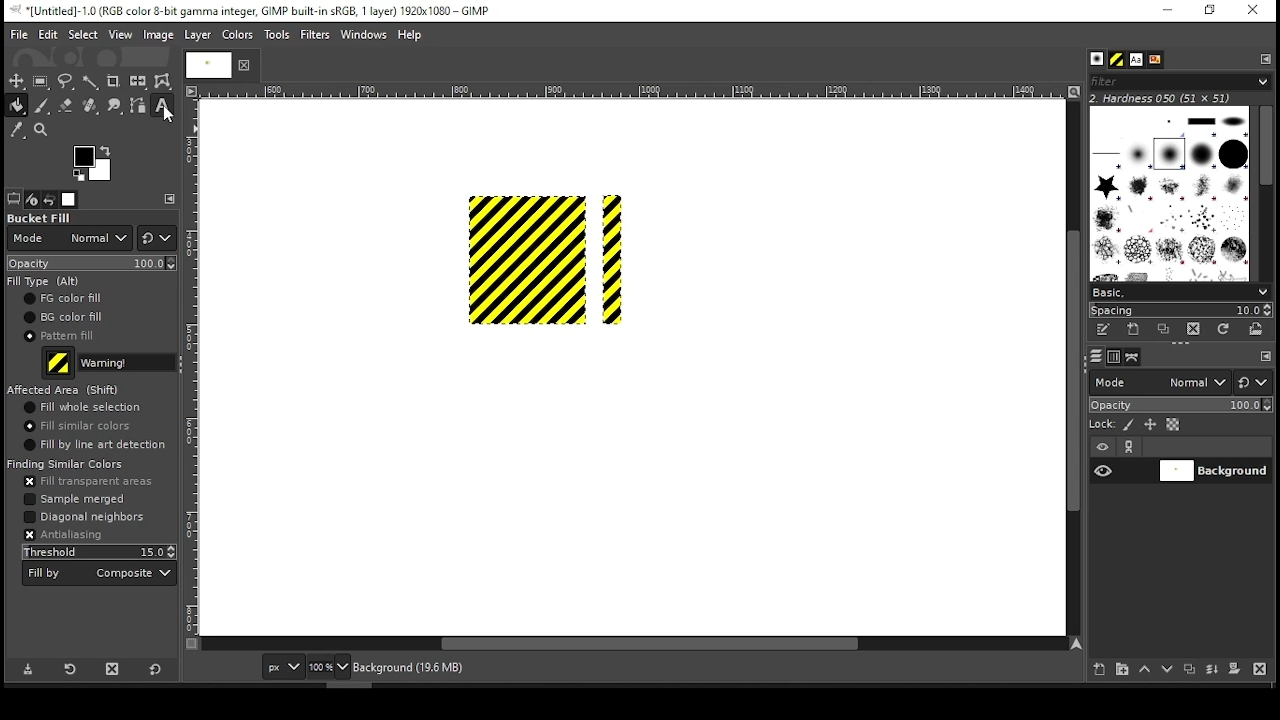 This screenshot has height=720, width=1280. What do you see at coordinates (528, 258) in the screenshot?
I see `shape (pattern fill)` at bounding box center [528, 258].